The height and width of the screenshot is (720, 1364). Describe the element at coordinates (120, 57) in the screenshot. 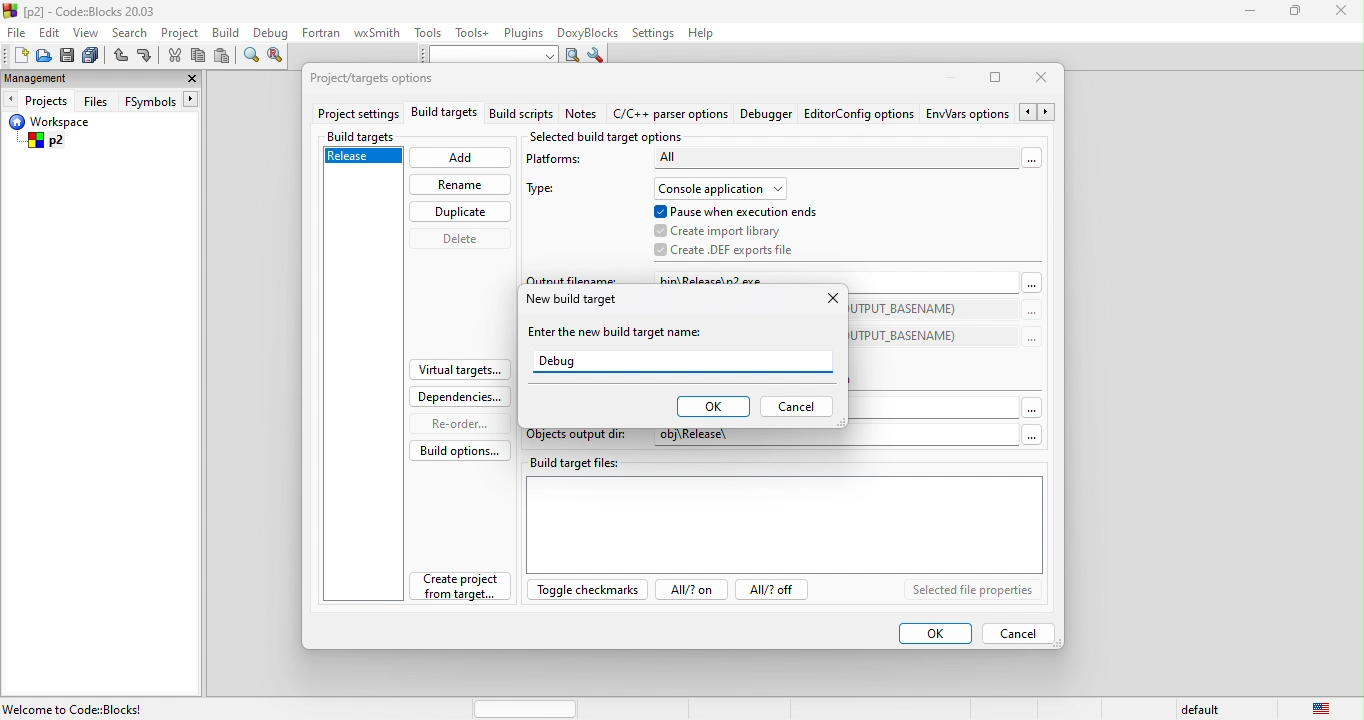

I see `undo` at that location.